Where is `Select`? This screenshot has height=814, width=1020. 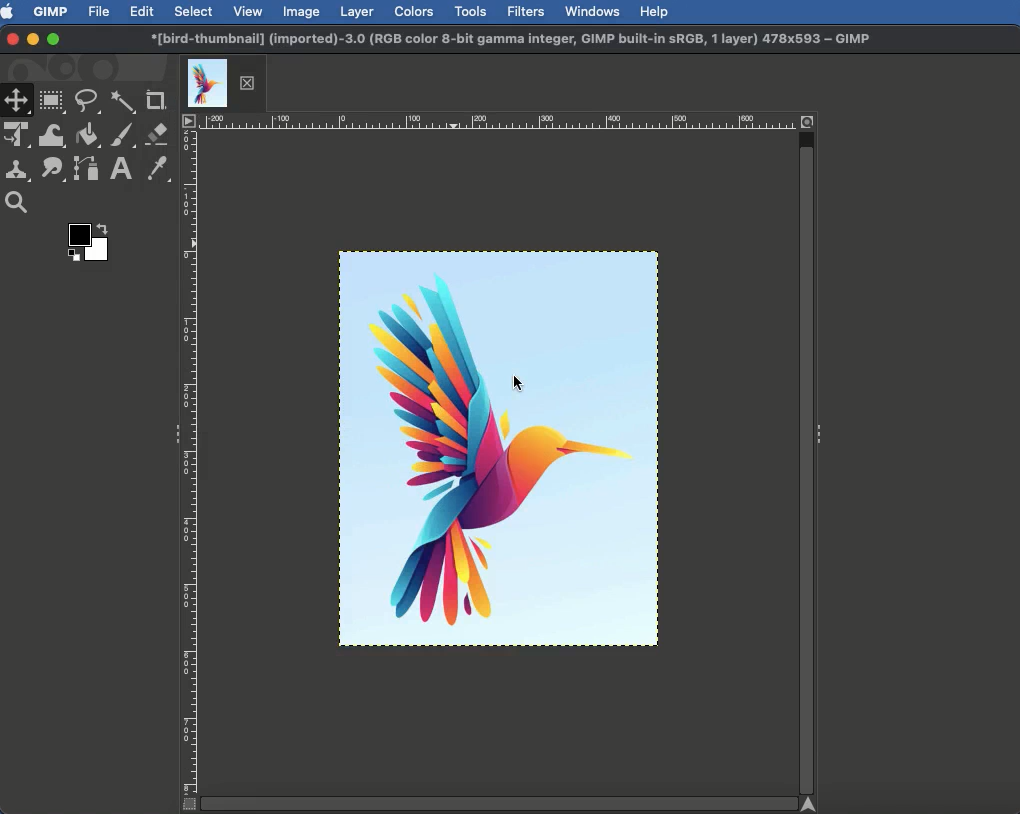
Select is located at coordinates (192, 11).